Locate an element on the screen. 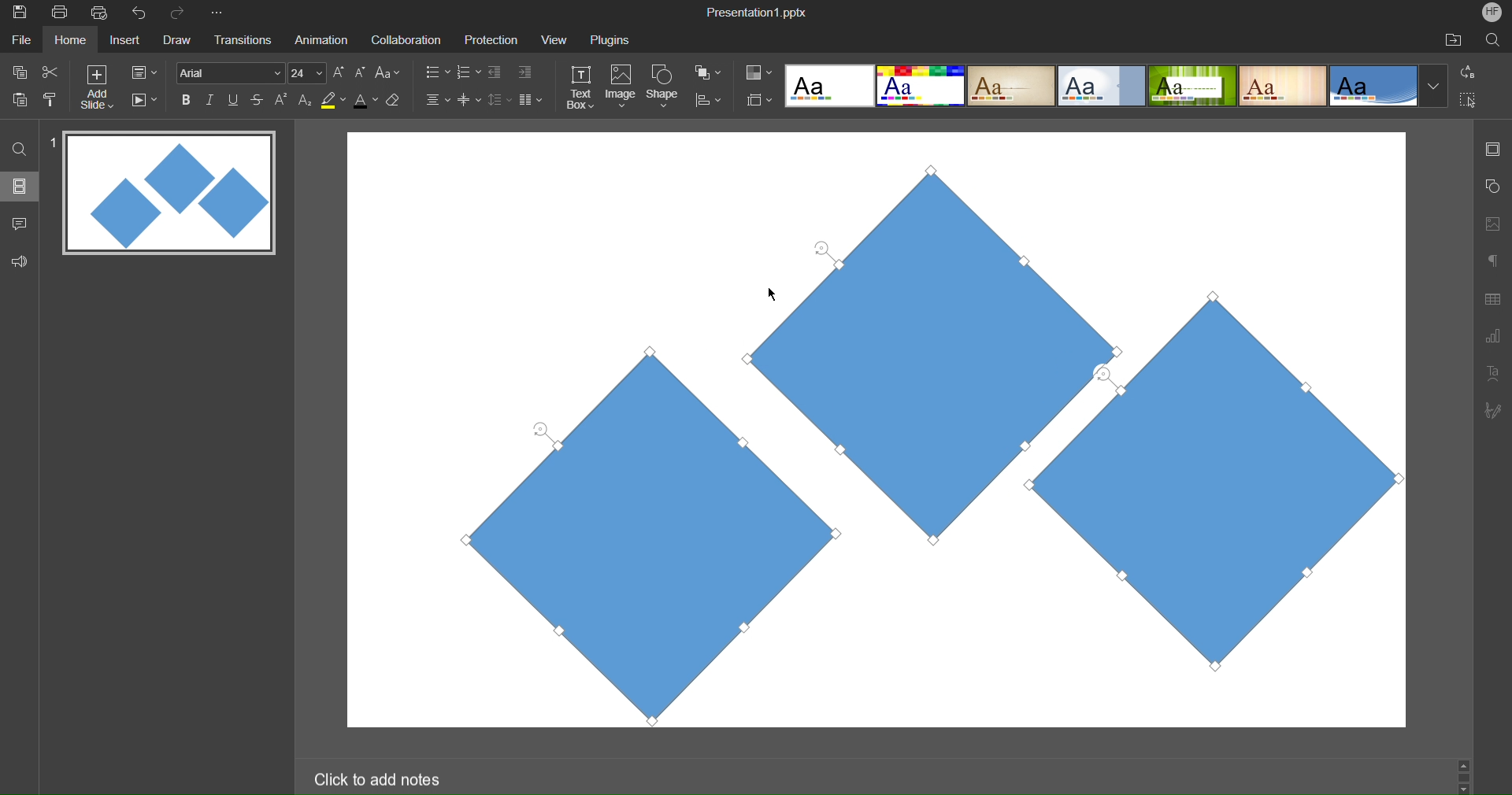 The width and height of the screenshot is (1512, 795). Image is located at coordinates (621, 88).